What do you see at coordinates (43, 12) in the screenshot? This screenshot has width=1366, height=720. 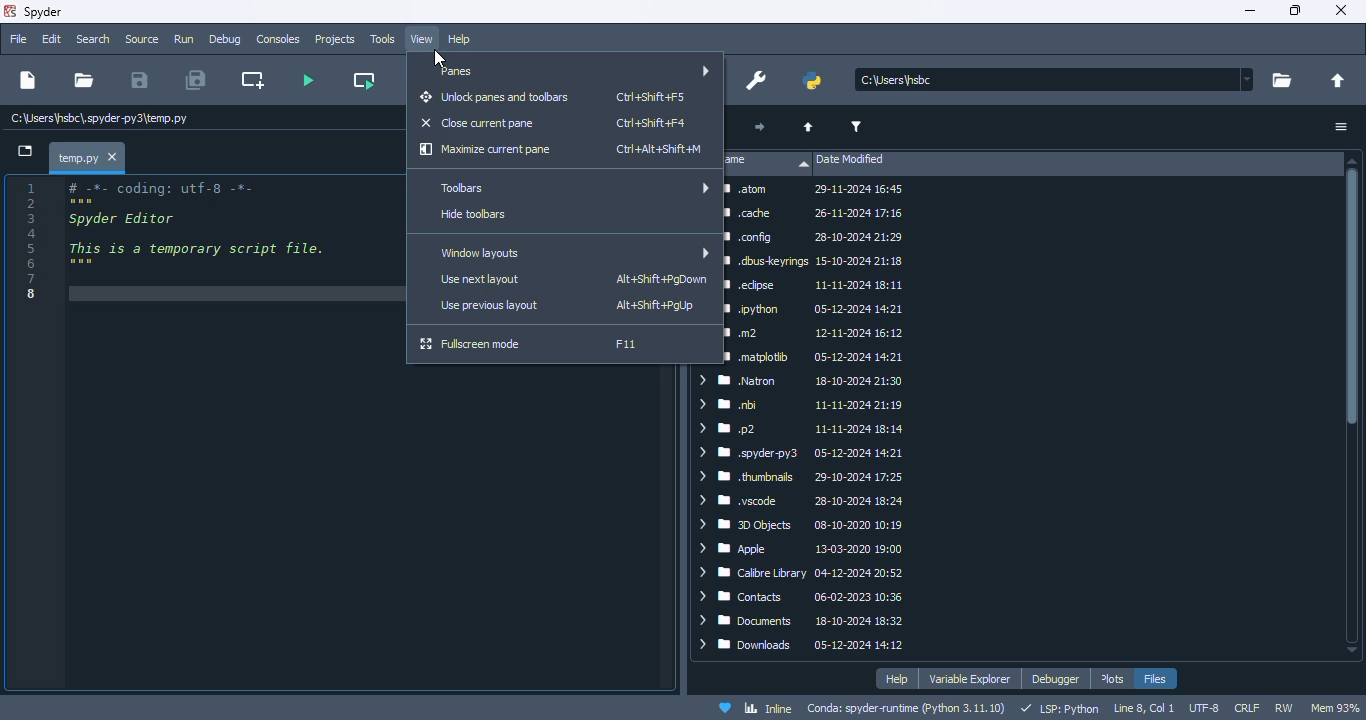 I see `spyder` at bounding box center [43, 12].